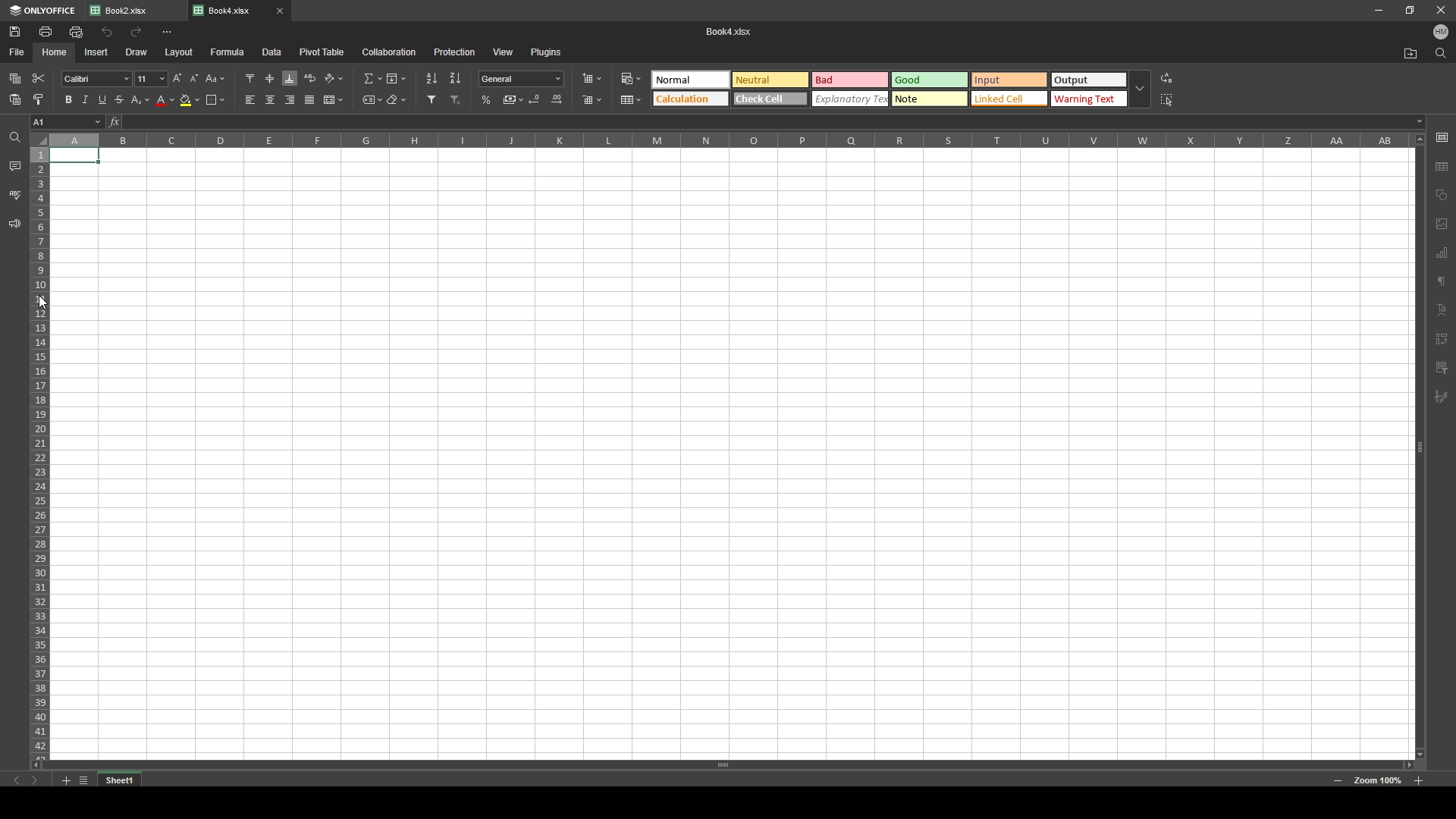 The height and width of the screenshot is (819, 1456). What do you see at coordinates (930, 80) in the screenshot?
I see `Good` at bounding box center [930, 80].